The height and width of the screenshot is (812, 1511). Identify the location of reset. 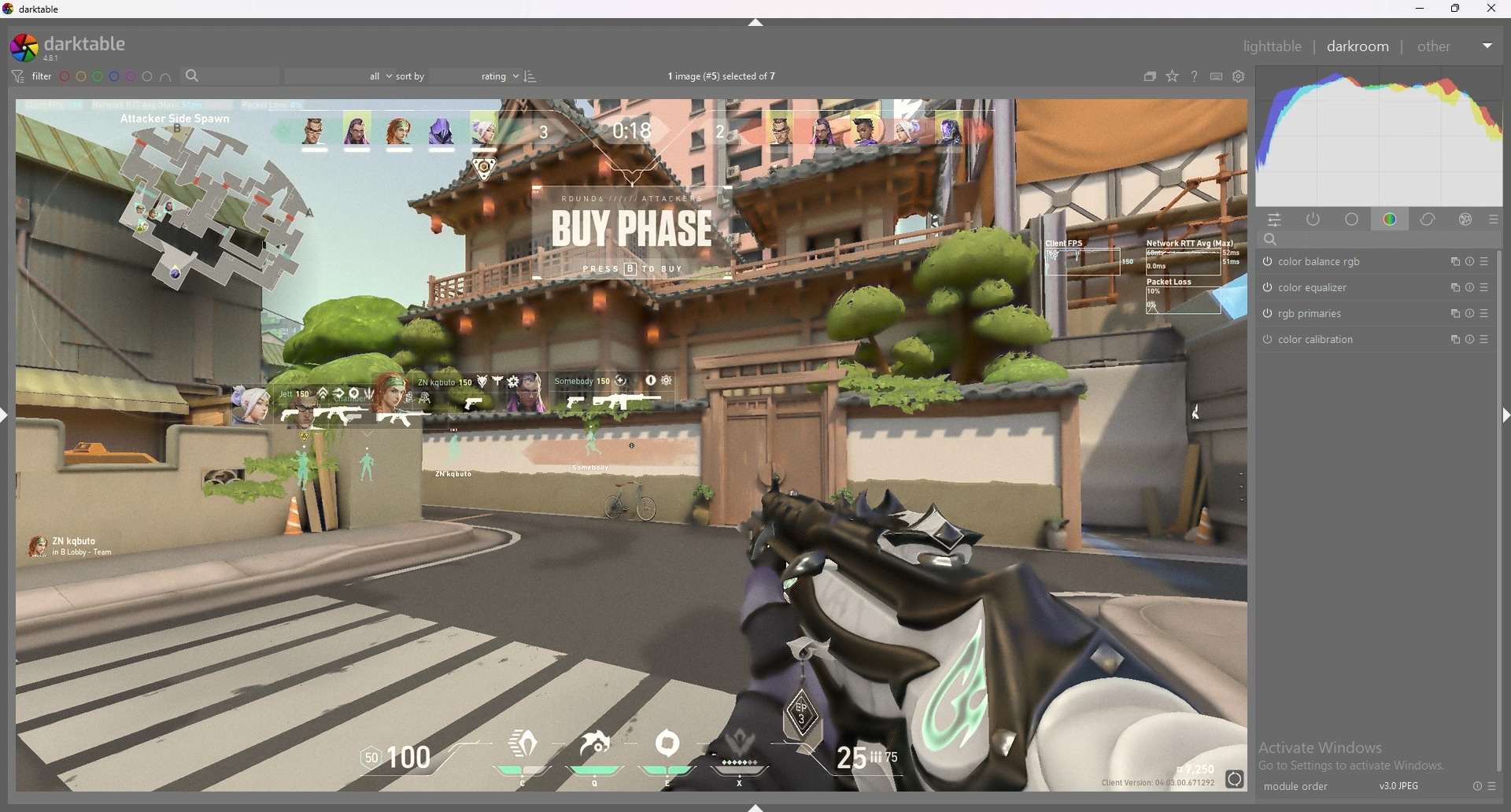
(1476, 786).